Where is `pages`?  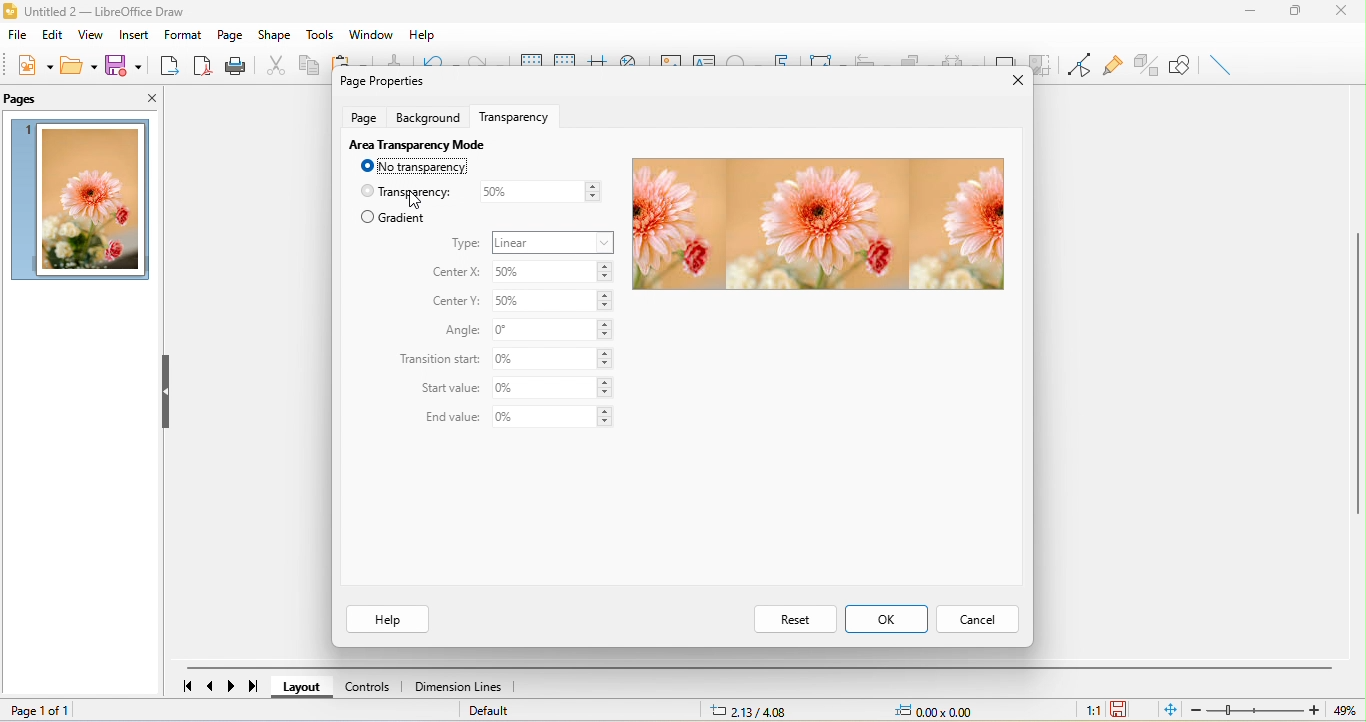 pages is located at coordinates (25, 100).